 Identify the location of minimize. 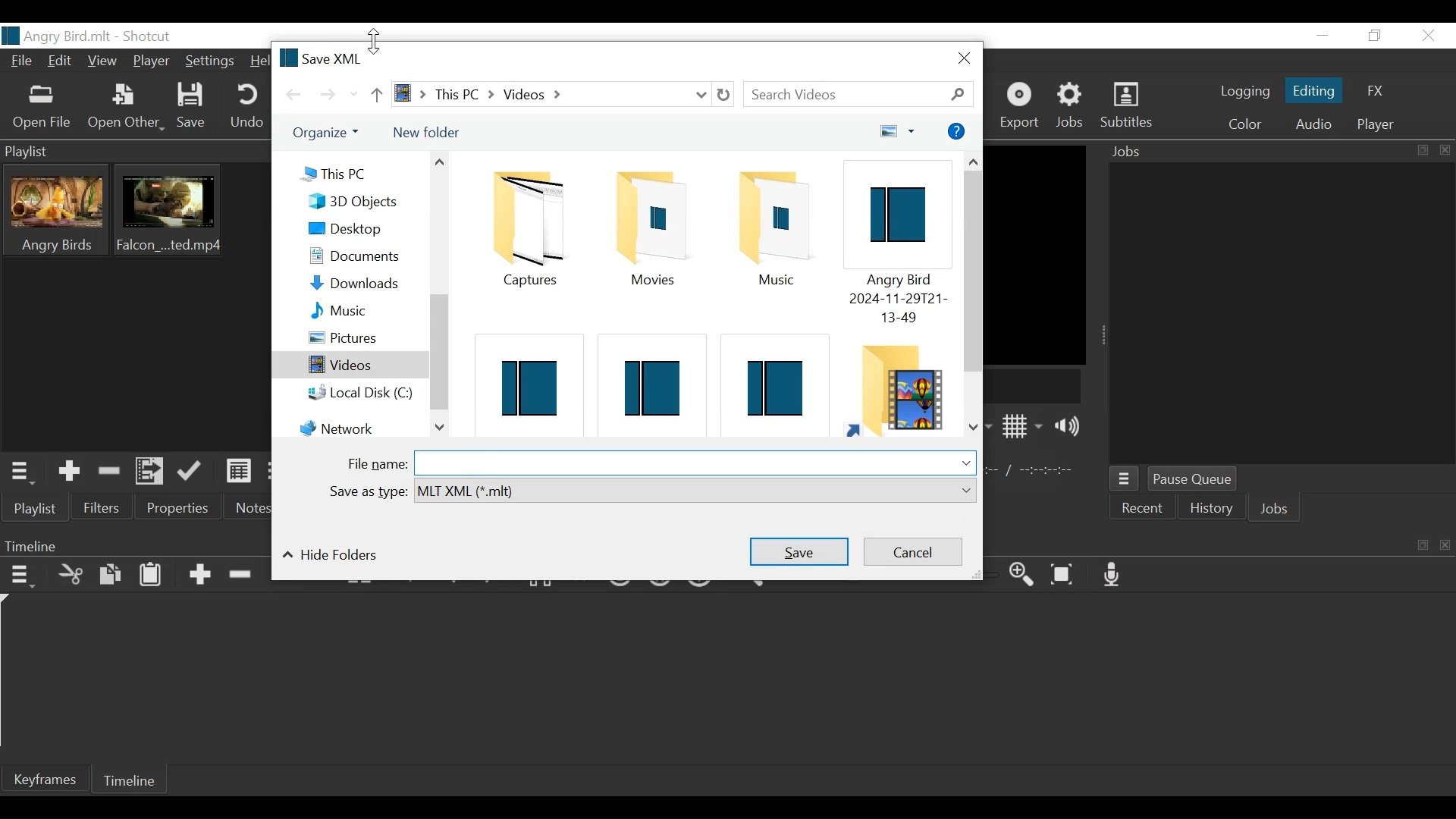
(1325, 35).